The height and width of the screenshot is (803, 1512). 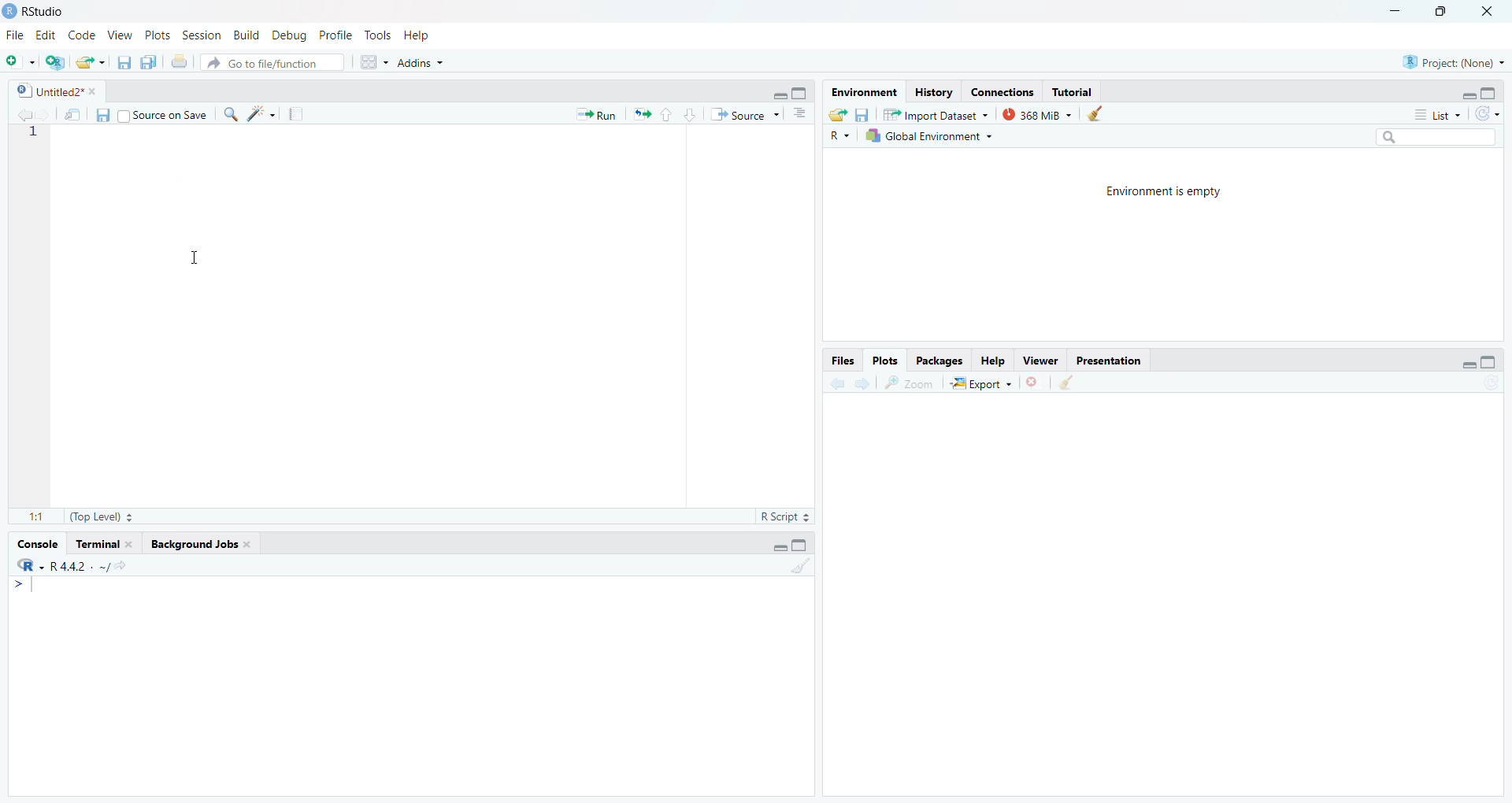 I want to click on Presentation, so click(x=1112, y=362).